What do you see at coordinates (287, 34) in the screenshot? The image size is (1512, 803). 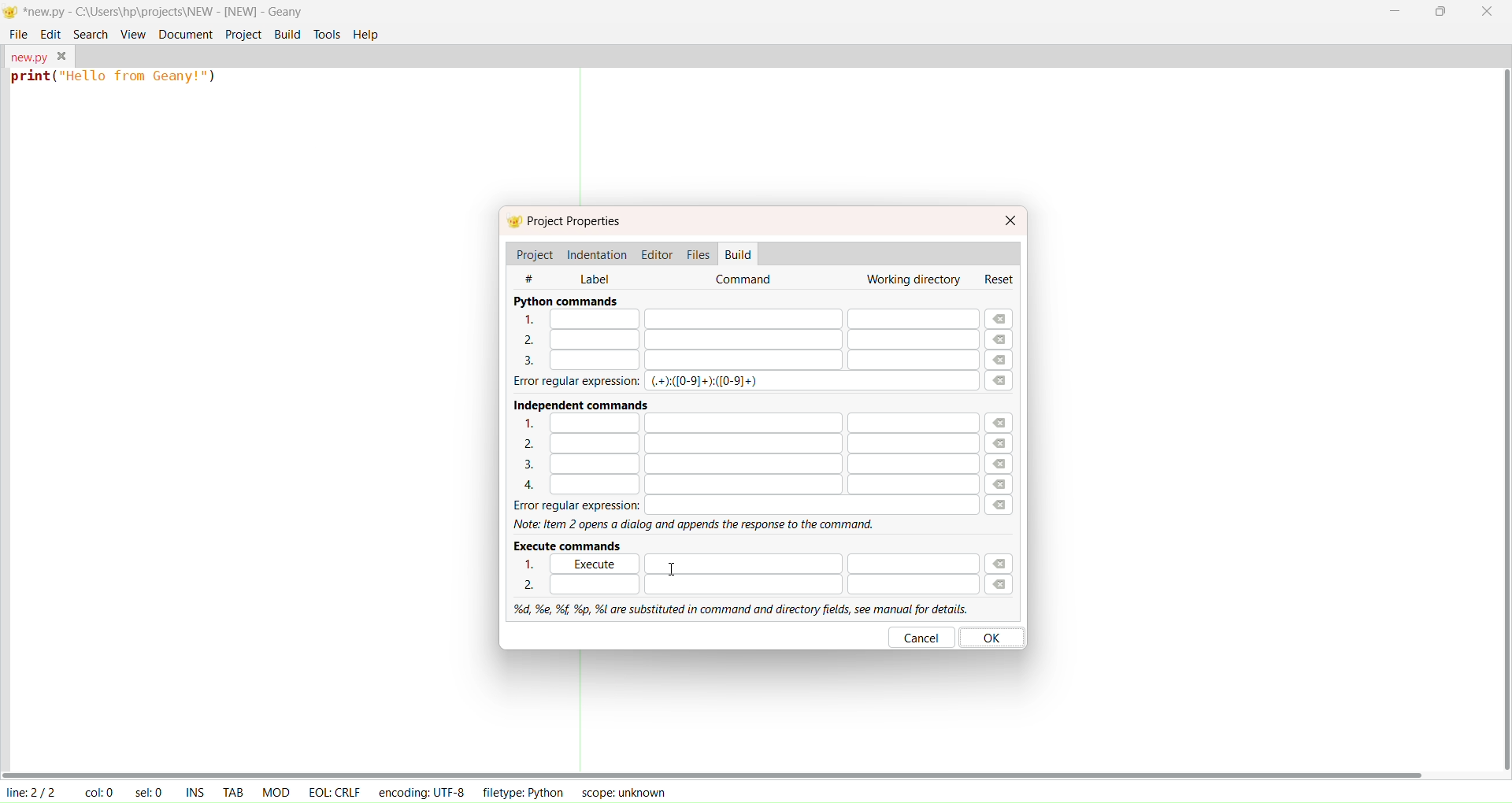 I see `build` at bounding box center [287, 34].